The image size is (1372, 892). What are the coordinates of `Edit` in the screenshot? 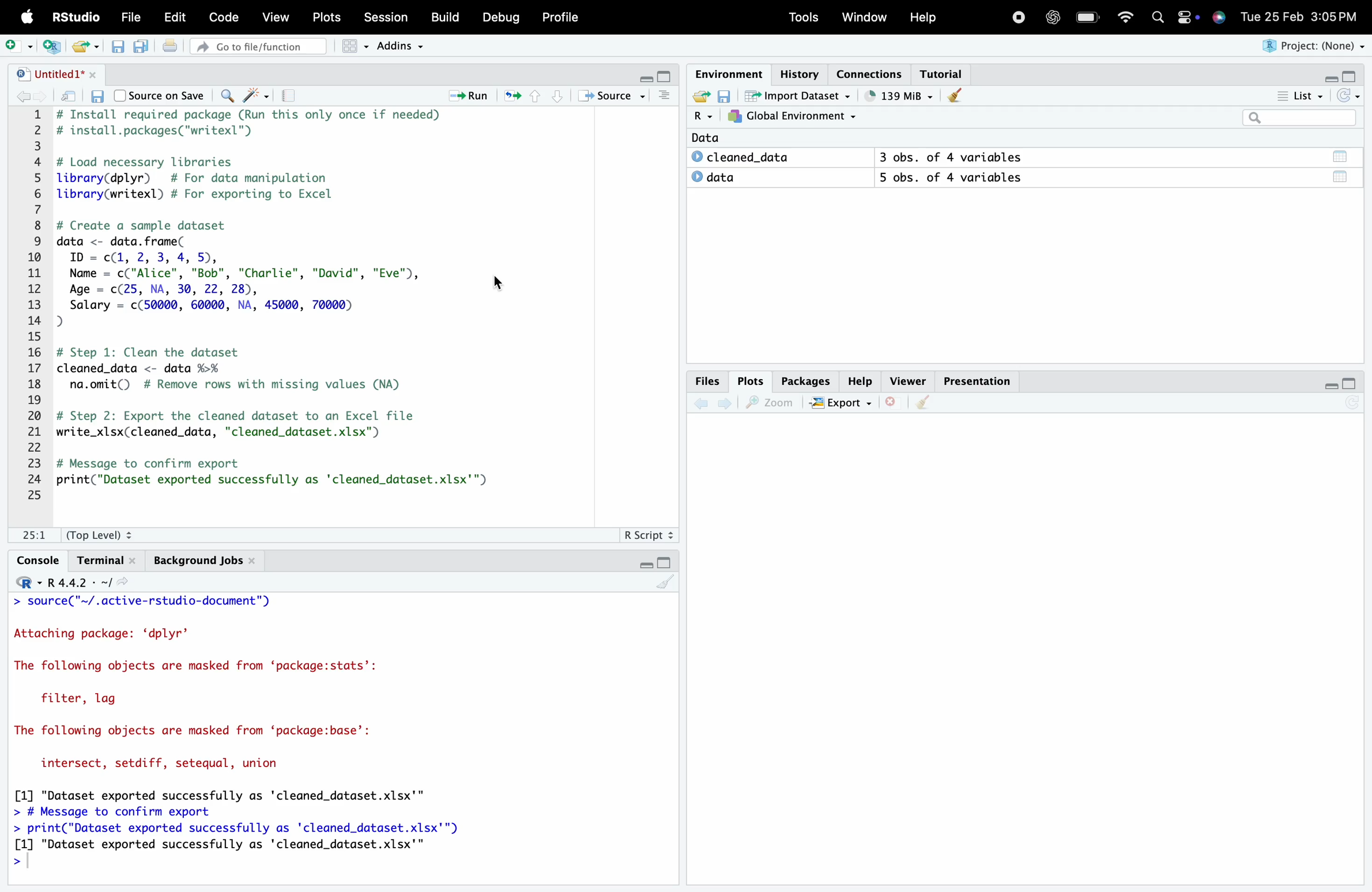 It's located at (174, 16).